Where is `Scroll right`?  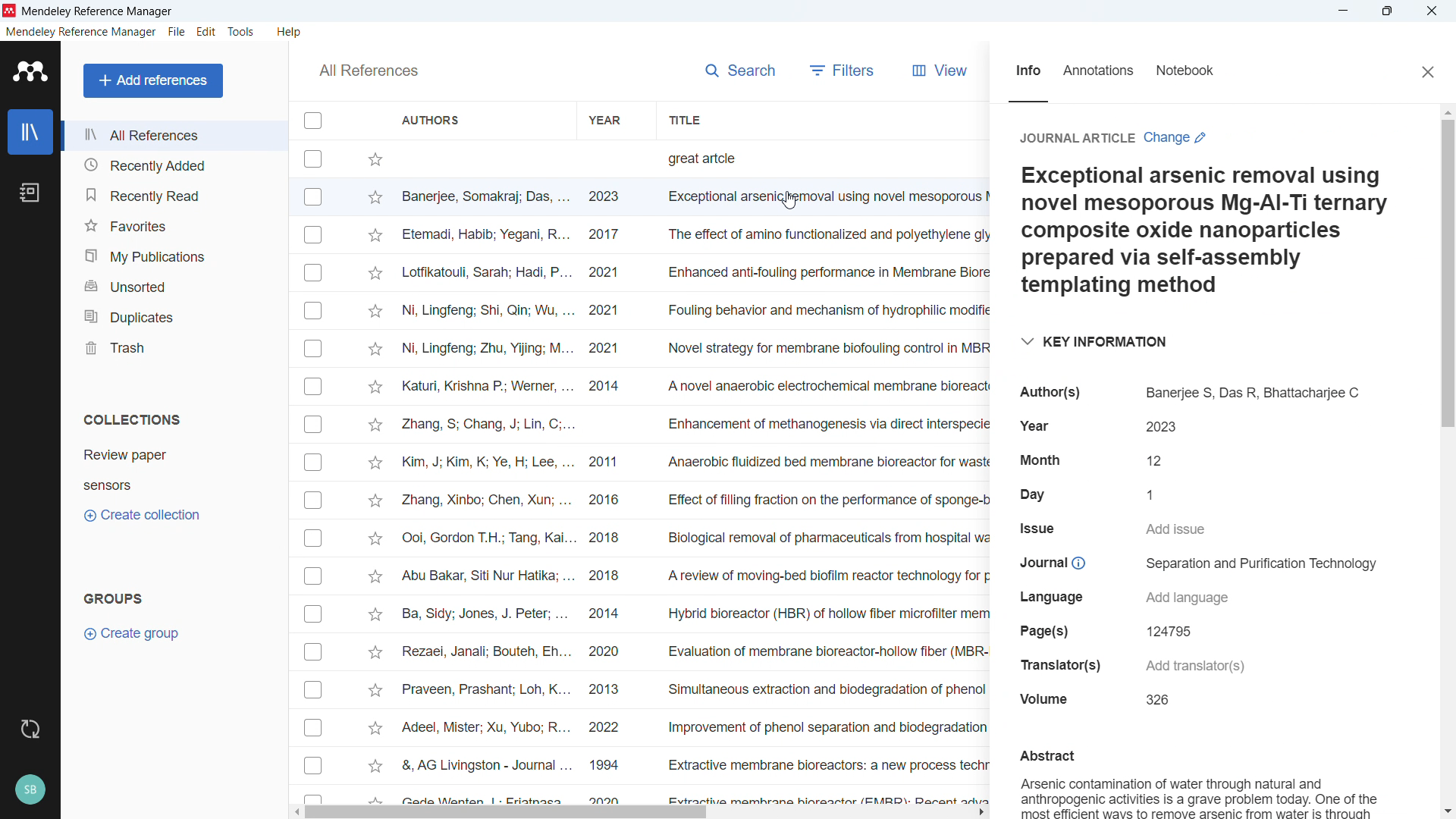
Scroll right is located at coordinates (981, 812).